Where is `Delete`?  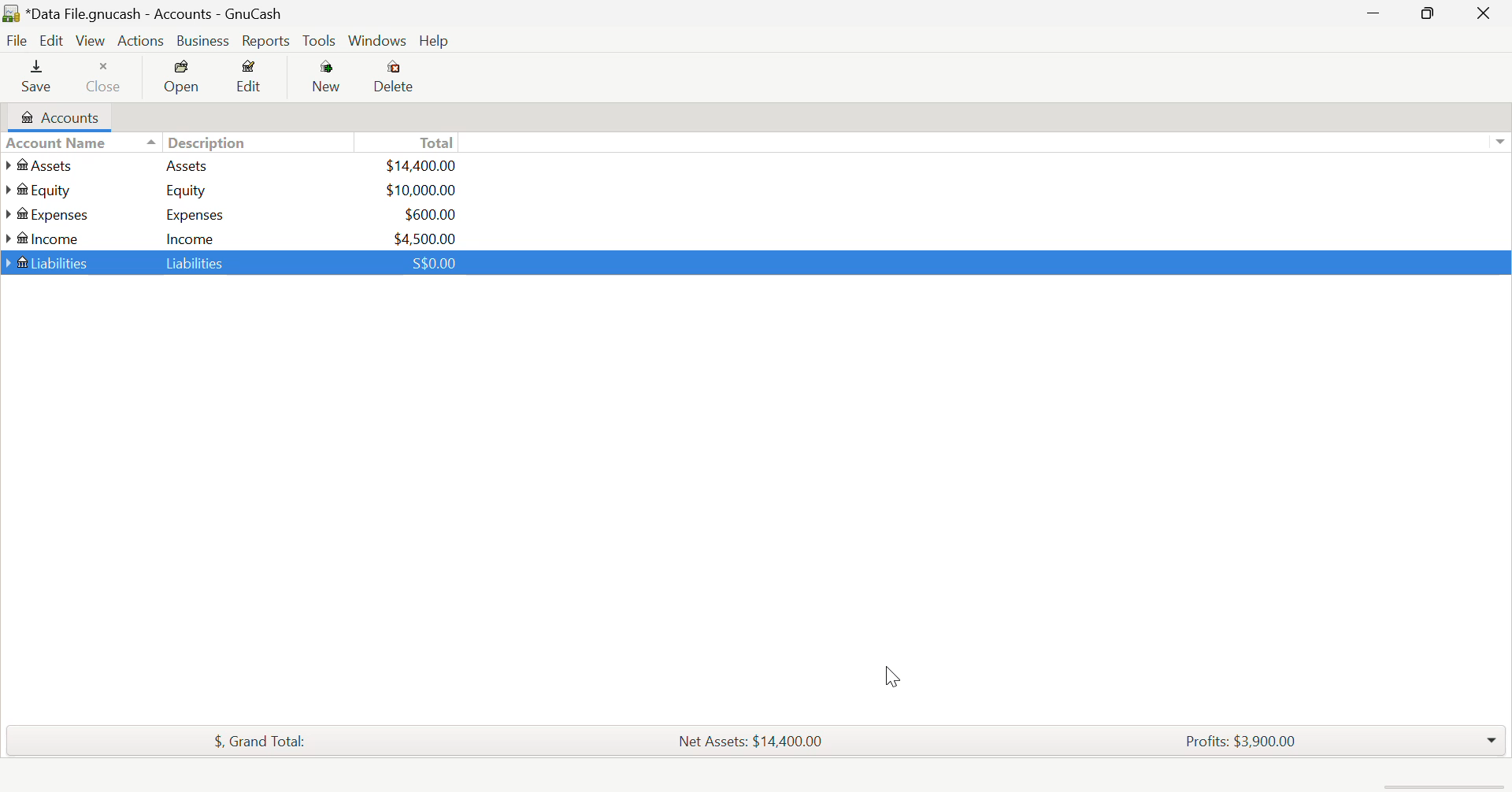 Delete is located at coordinates (394, 77).